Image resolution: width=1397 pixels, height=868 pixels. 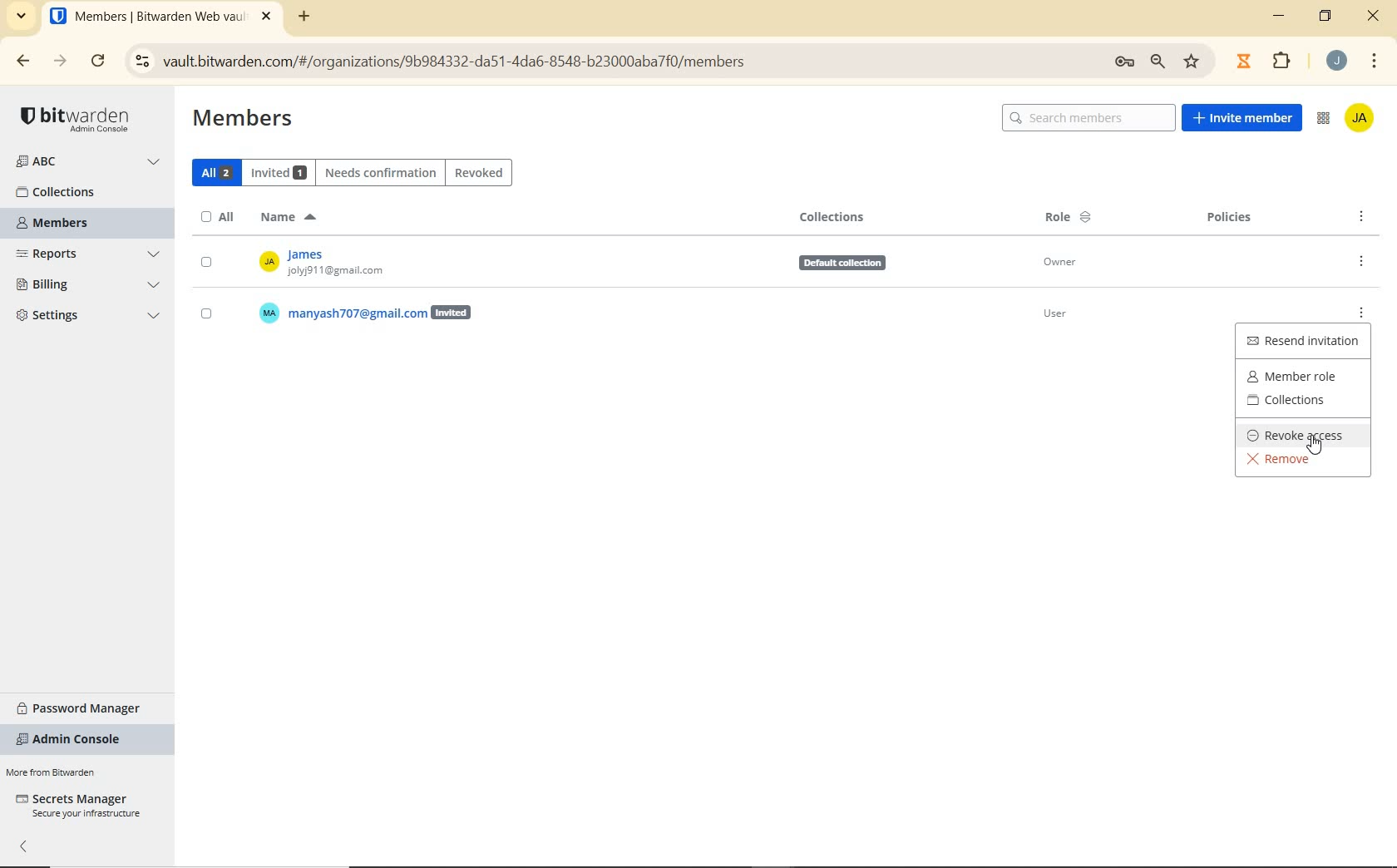 I want to click on OPTIONS, so click(x=1366, y=308).